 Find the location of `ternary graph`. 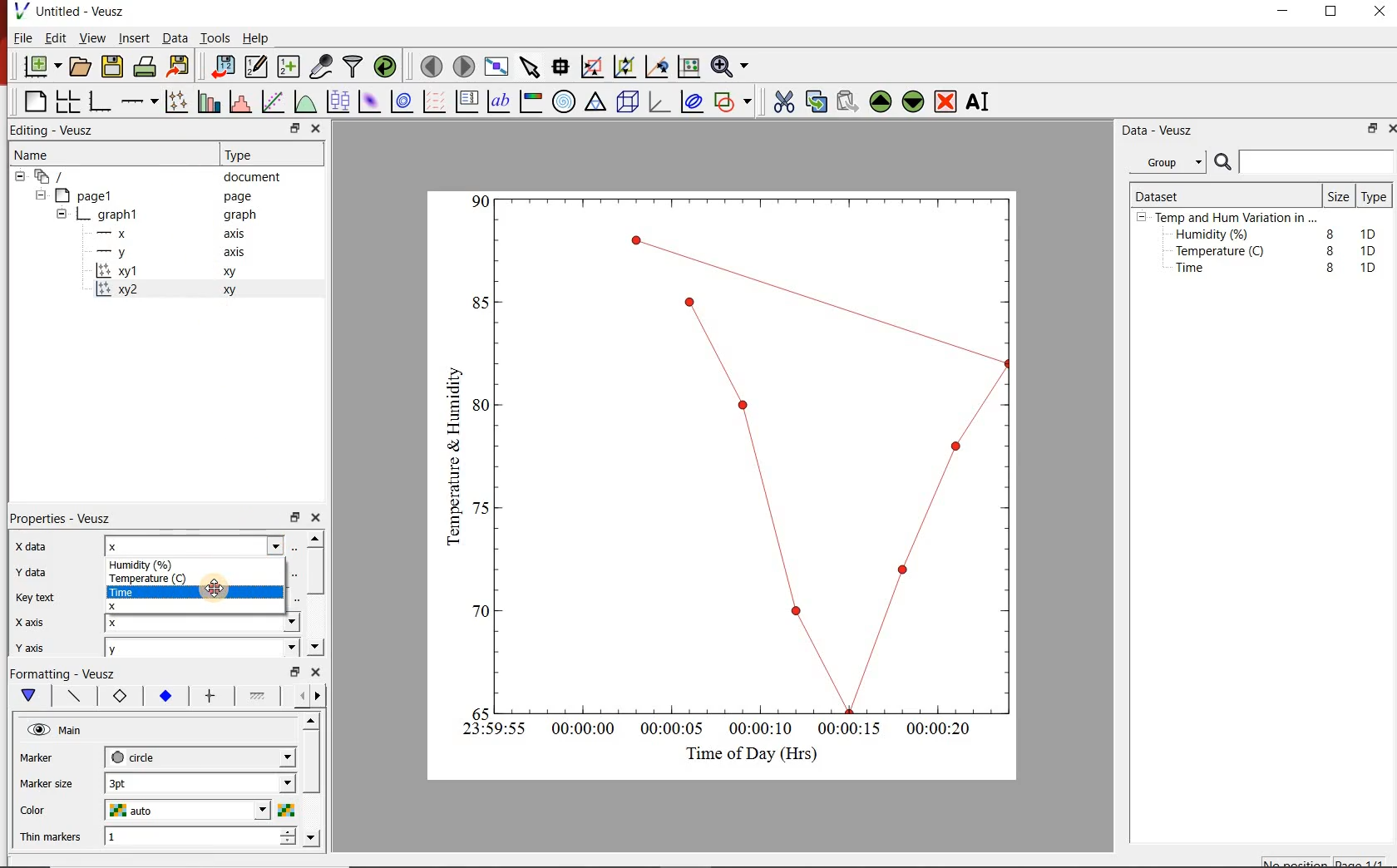

ternary graph is located at coordinates (597, 104).